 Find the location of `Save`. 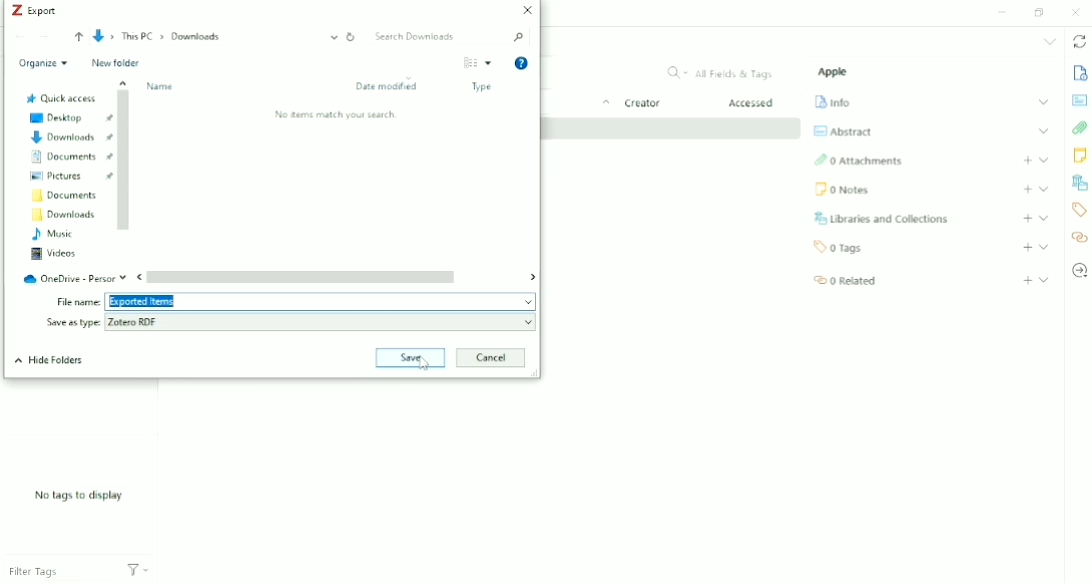

Save is located at coordinates (411, 358).